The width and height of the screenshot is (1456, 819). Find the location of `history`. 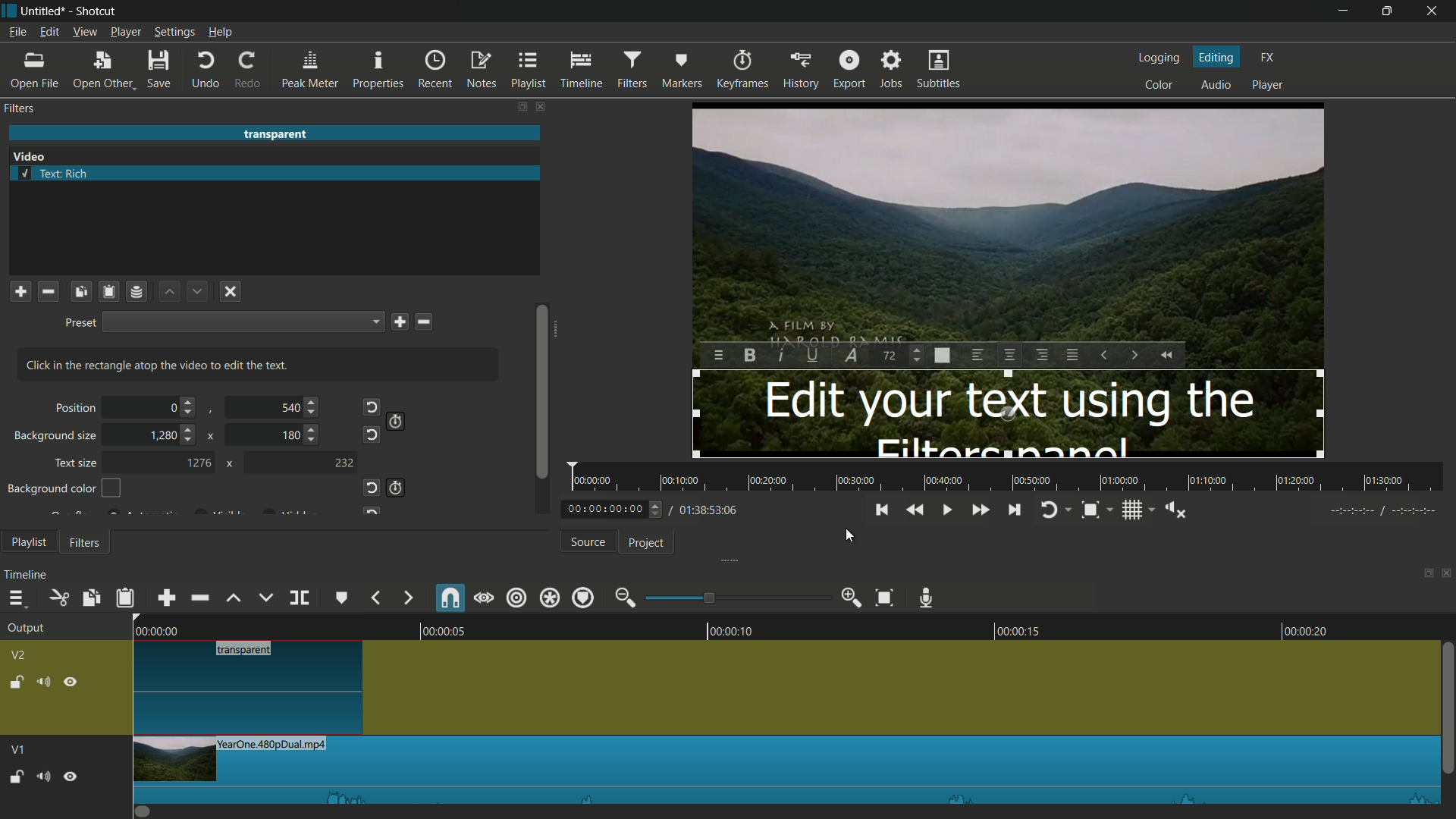

history is located at coordinates (800, 71).